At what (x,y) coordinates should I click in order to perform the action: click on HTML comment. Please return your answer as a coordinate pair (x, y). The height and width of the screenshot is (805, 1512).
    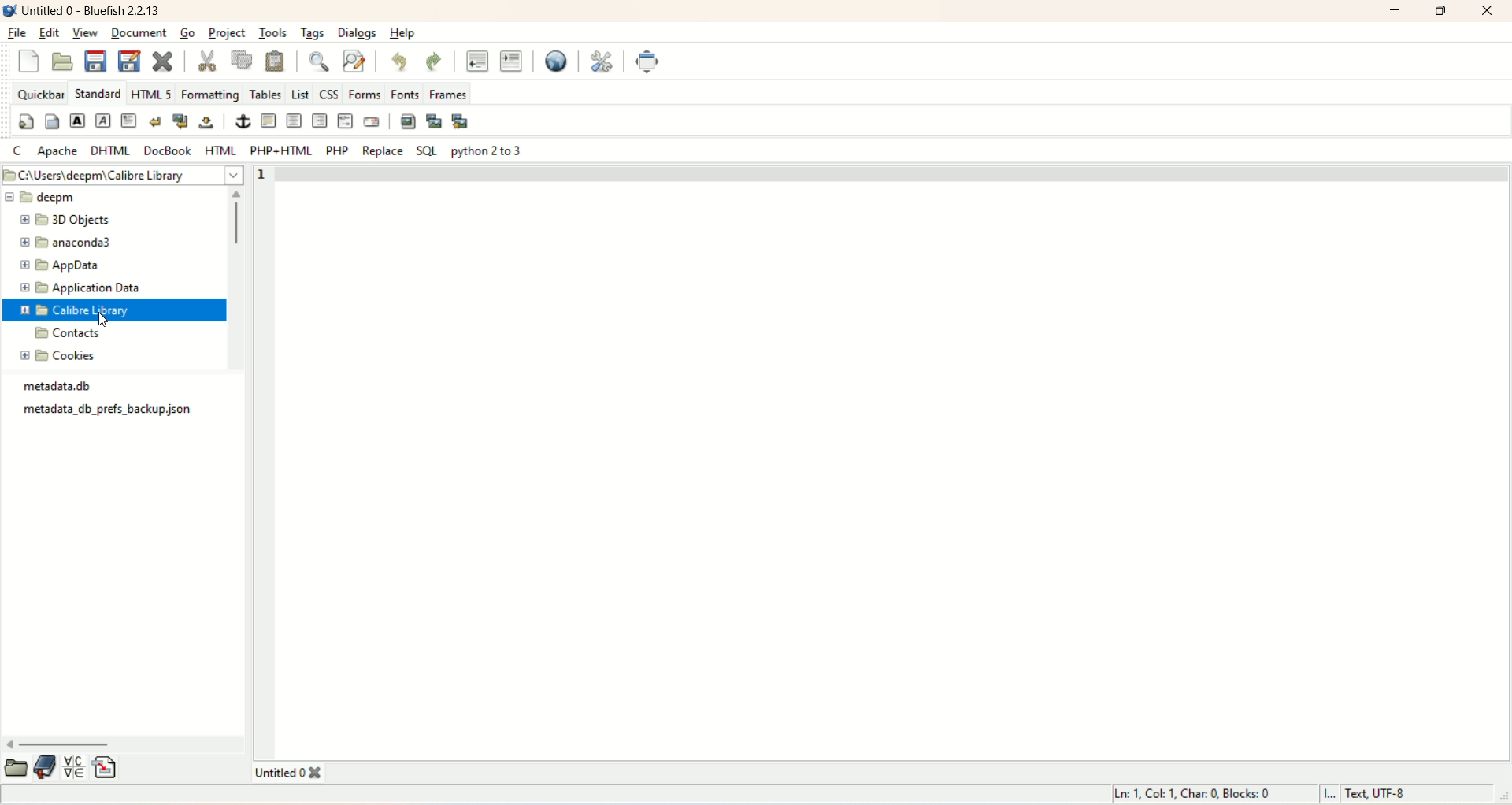
    Looking at the image, I should click on (345, 121).